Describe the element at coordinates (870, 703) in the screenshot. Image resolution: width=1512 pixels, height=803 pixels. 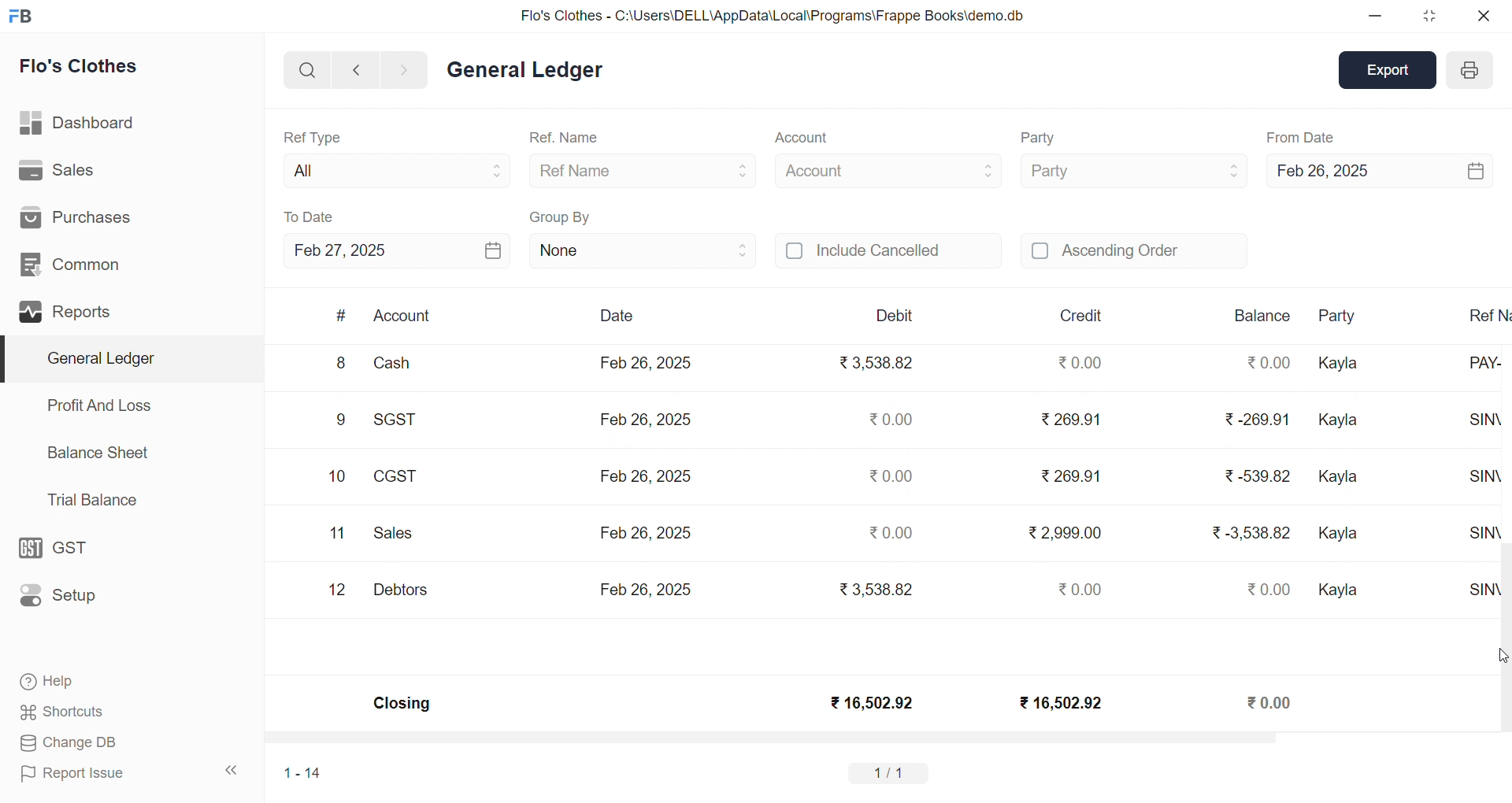
I see `₹ 16,502.92` at that location.